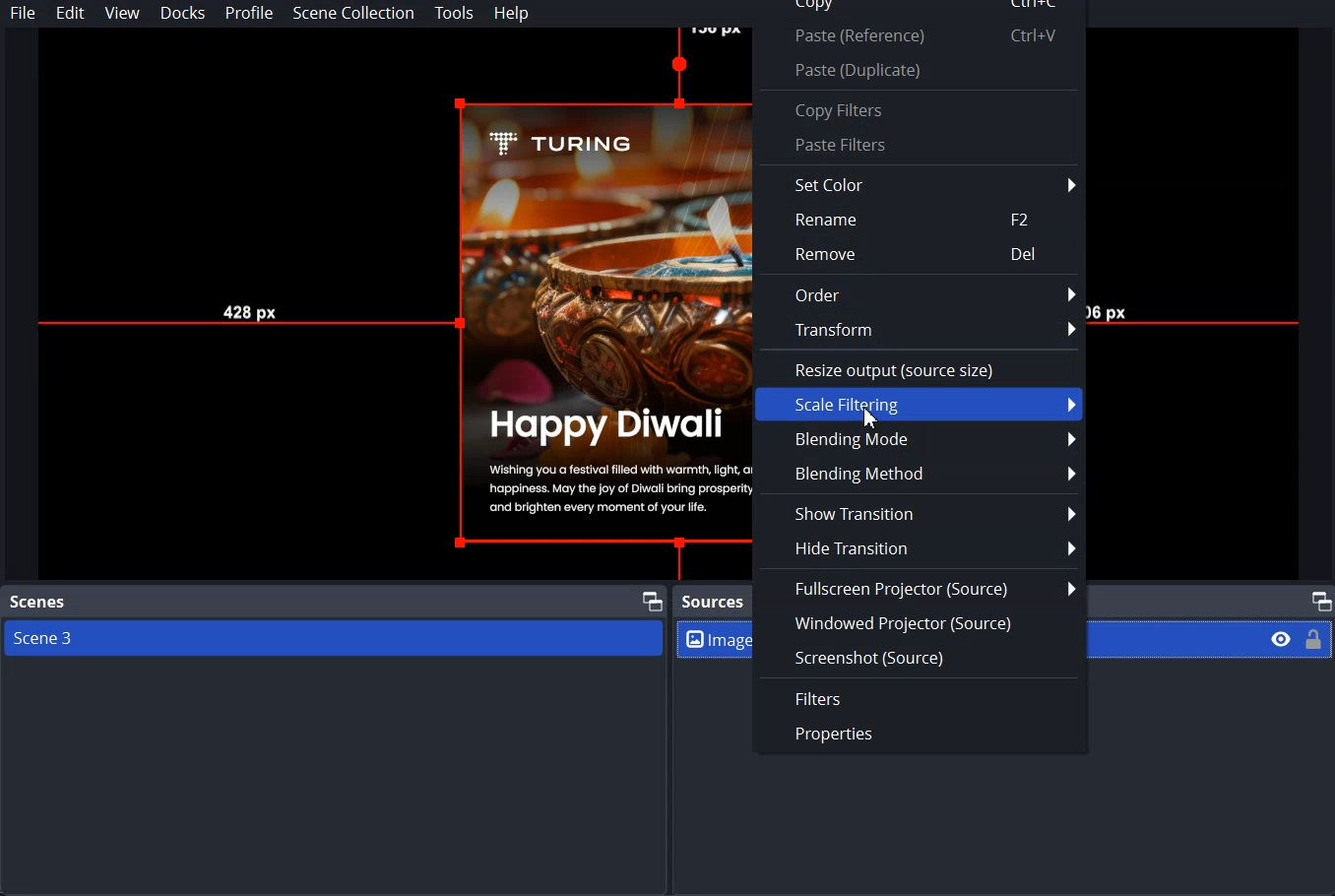 The image size is (1335, 896). I want to click on Blending mode, so click(920, 438).